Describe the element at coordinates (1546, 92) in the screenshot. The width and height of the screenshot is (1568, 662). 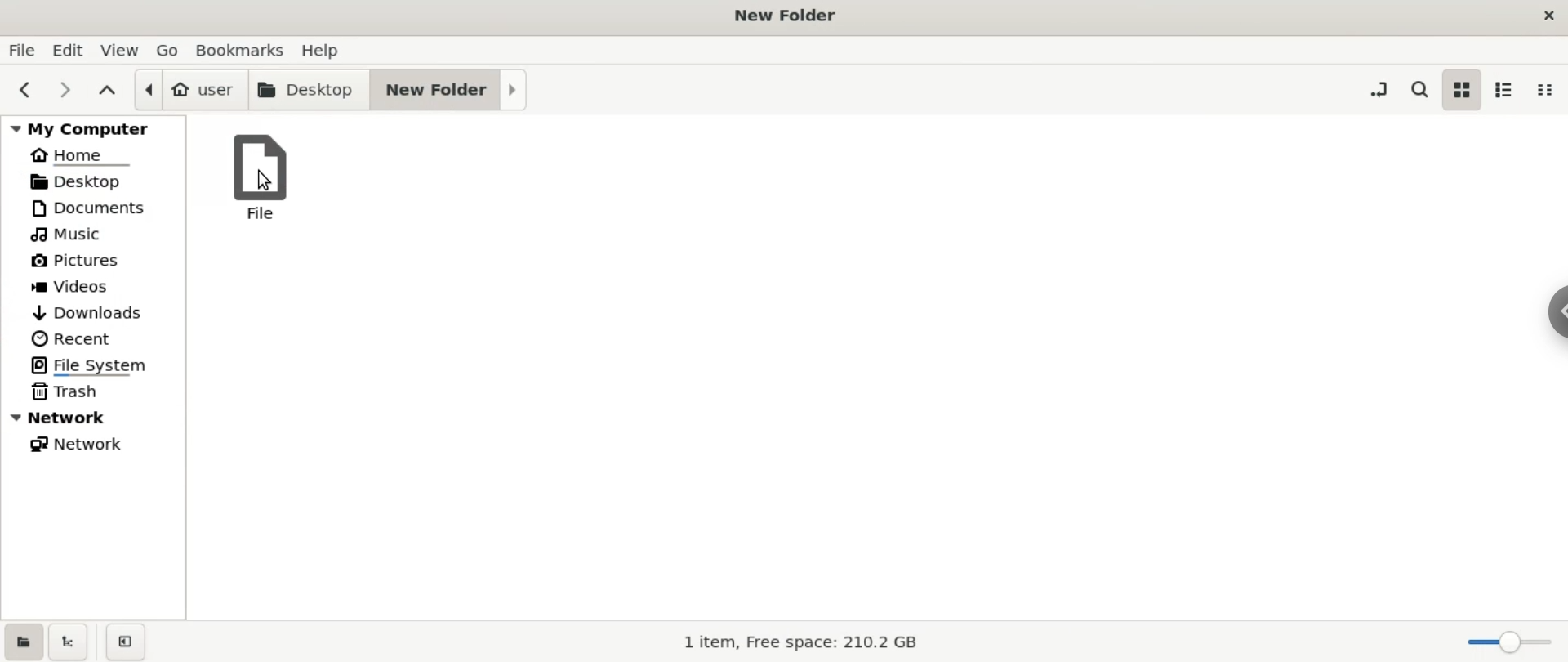
I see `compact view` at that location.